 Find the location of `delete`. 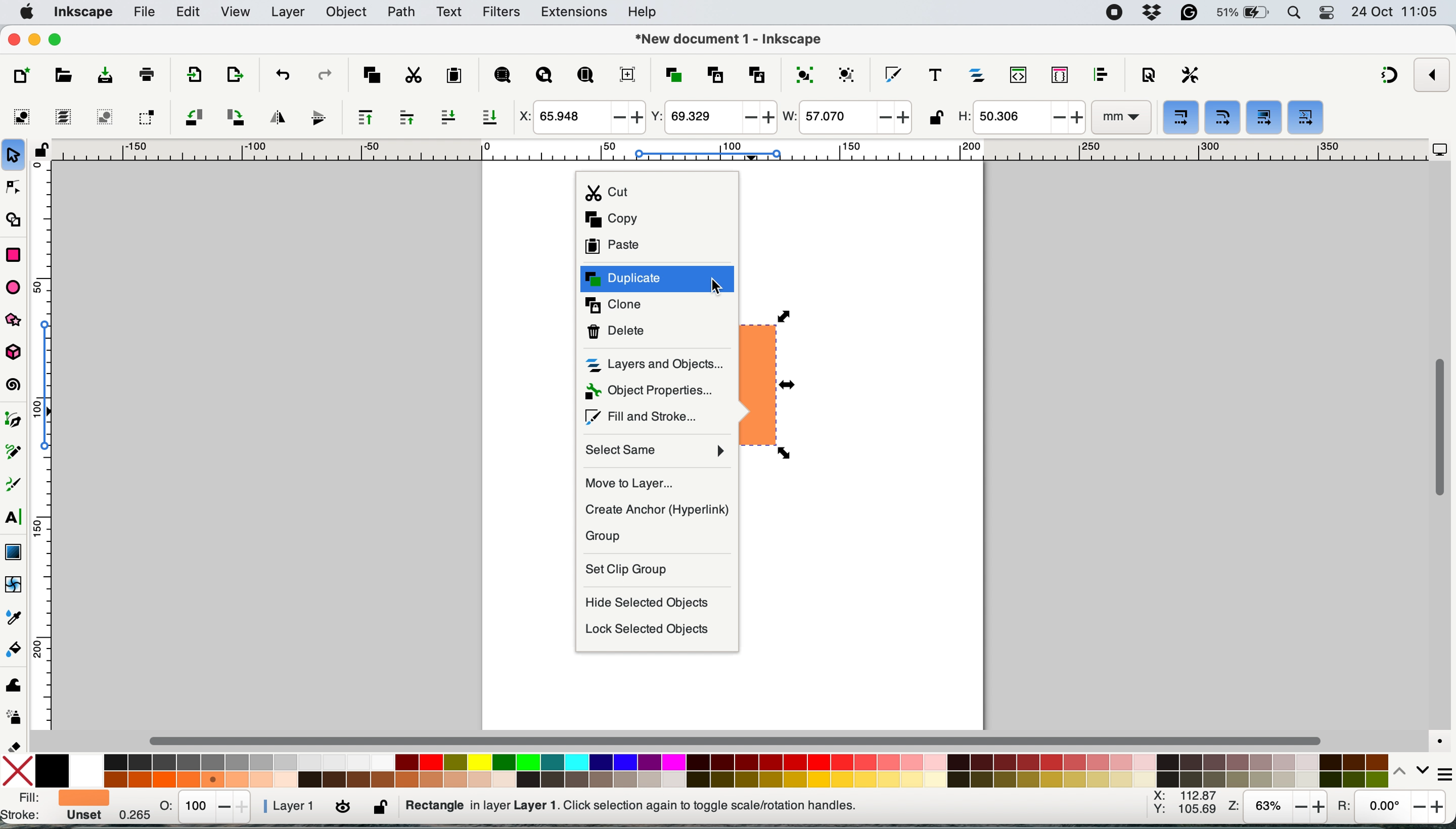

delete is located at coordinates (657, 331).